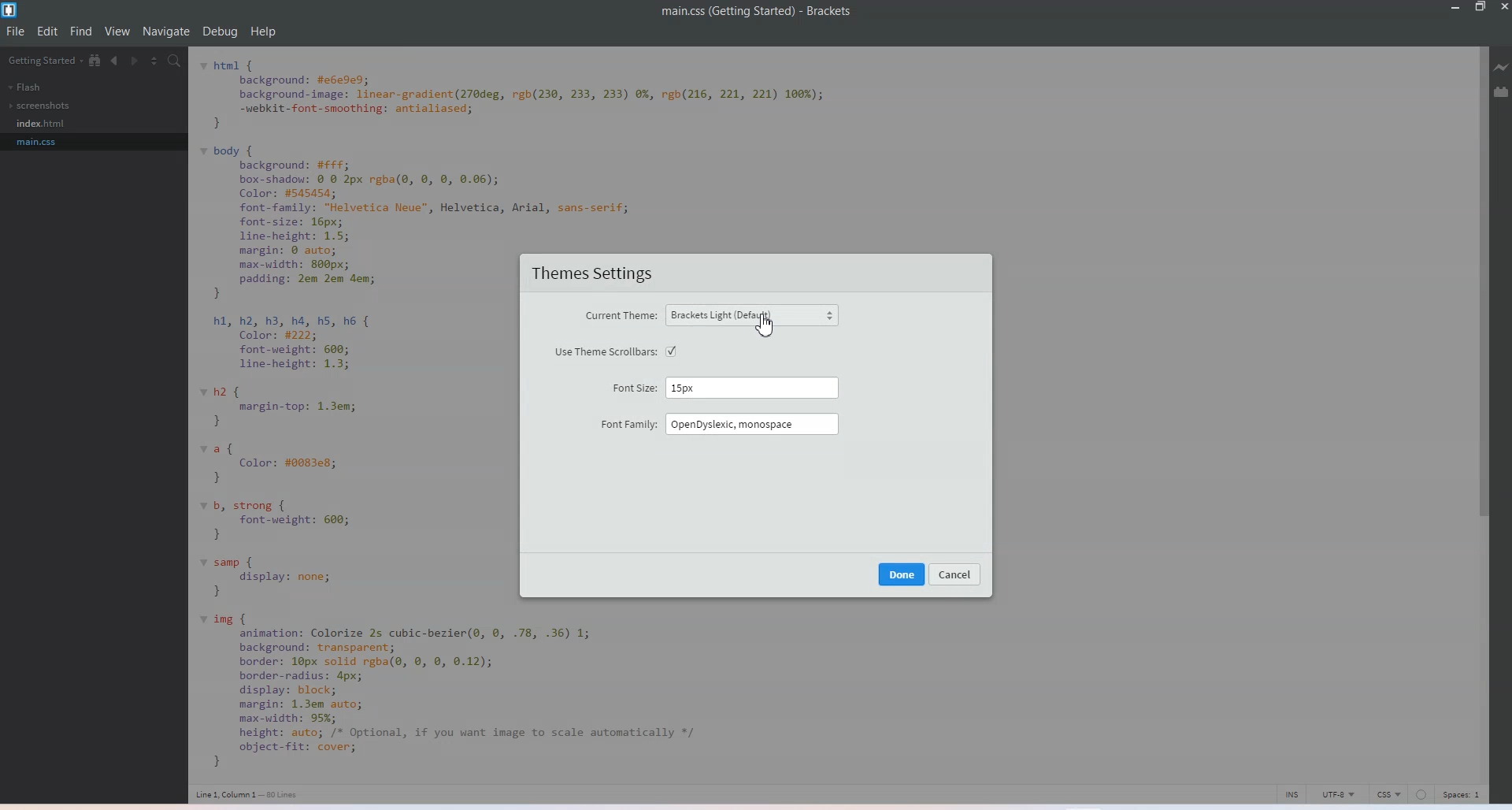 This screenshot has height=810, width=1512. I want to click on Current theme, so click(617, 314).